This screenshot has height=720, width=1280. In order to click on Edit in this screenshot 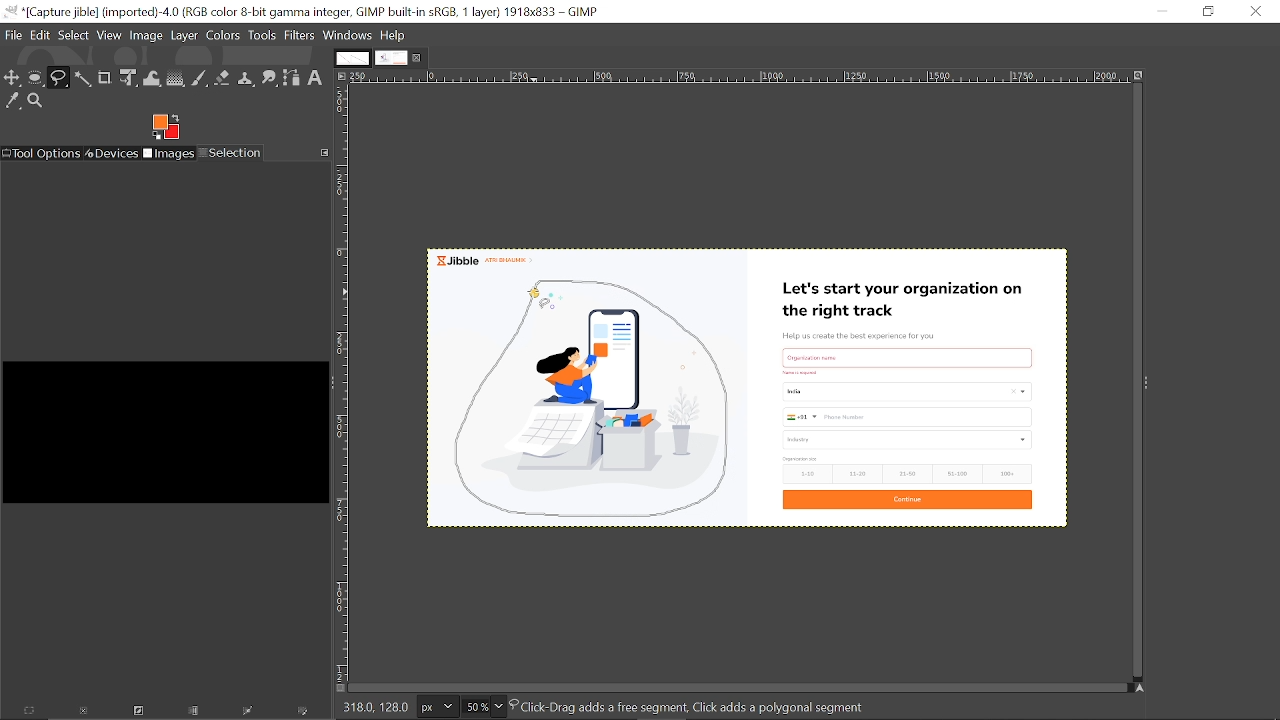, I will do `click(42, 33)`.